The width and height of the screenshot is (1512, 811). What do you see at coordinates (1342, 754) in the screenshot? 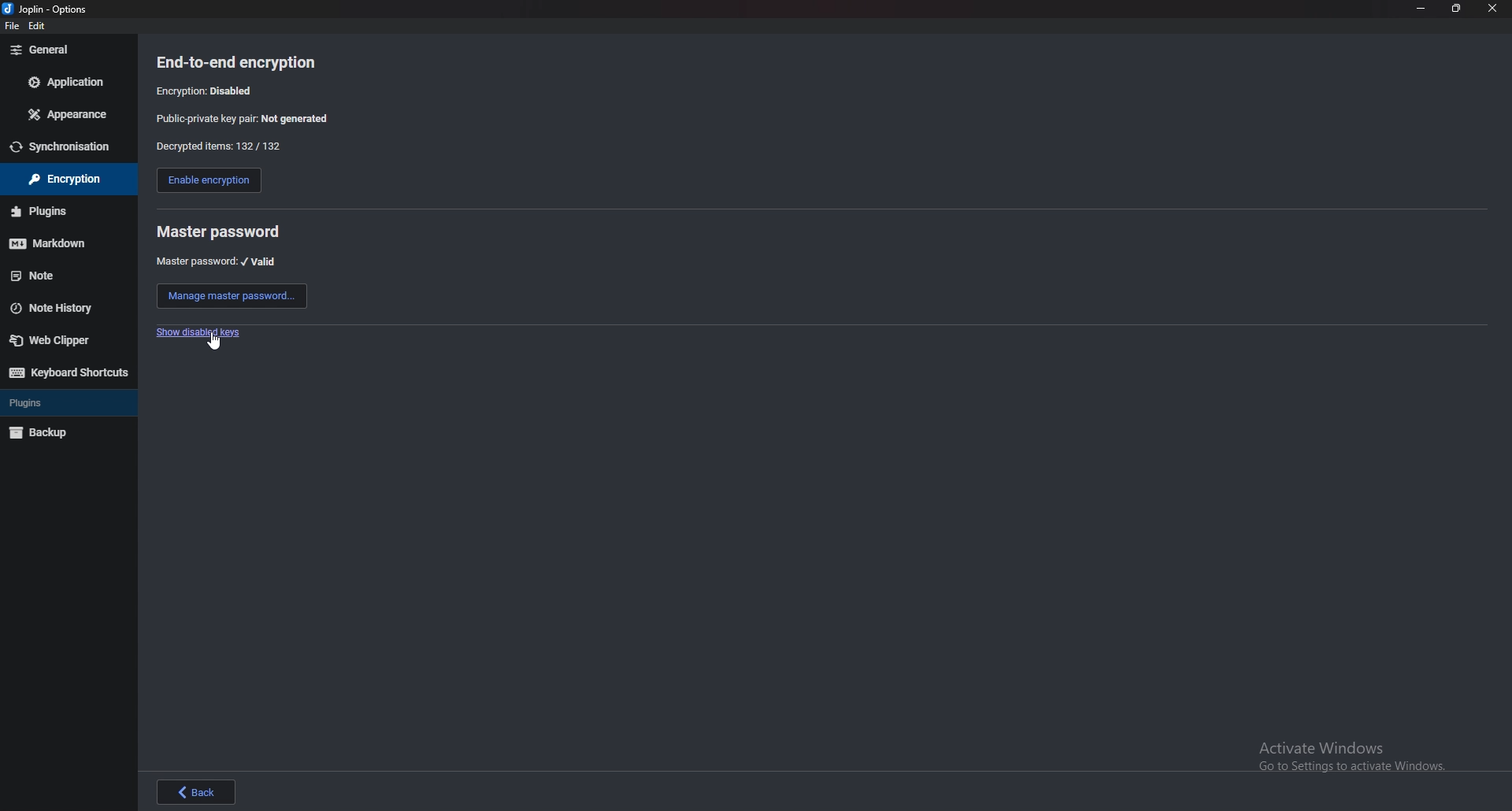
I see `Activate Windows` at bounding box center [1342, 754].